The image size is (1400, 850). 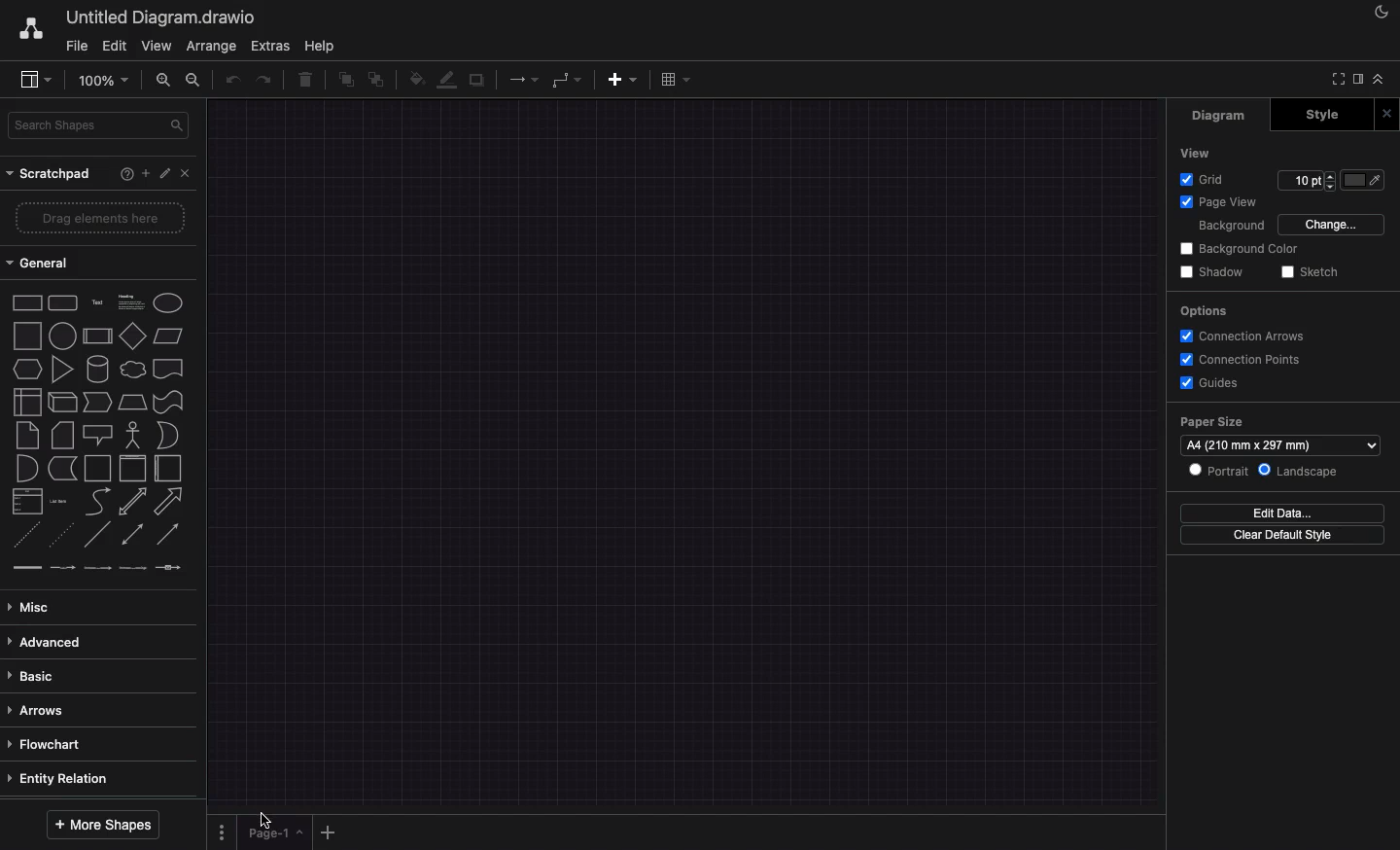 What do you see at coordinates (96, 502) in the screenshot?
I see `curve` at bounding box center [96, 502].